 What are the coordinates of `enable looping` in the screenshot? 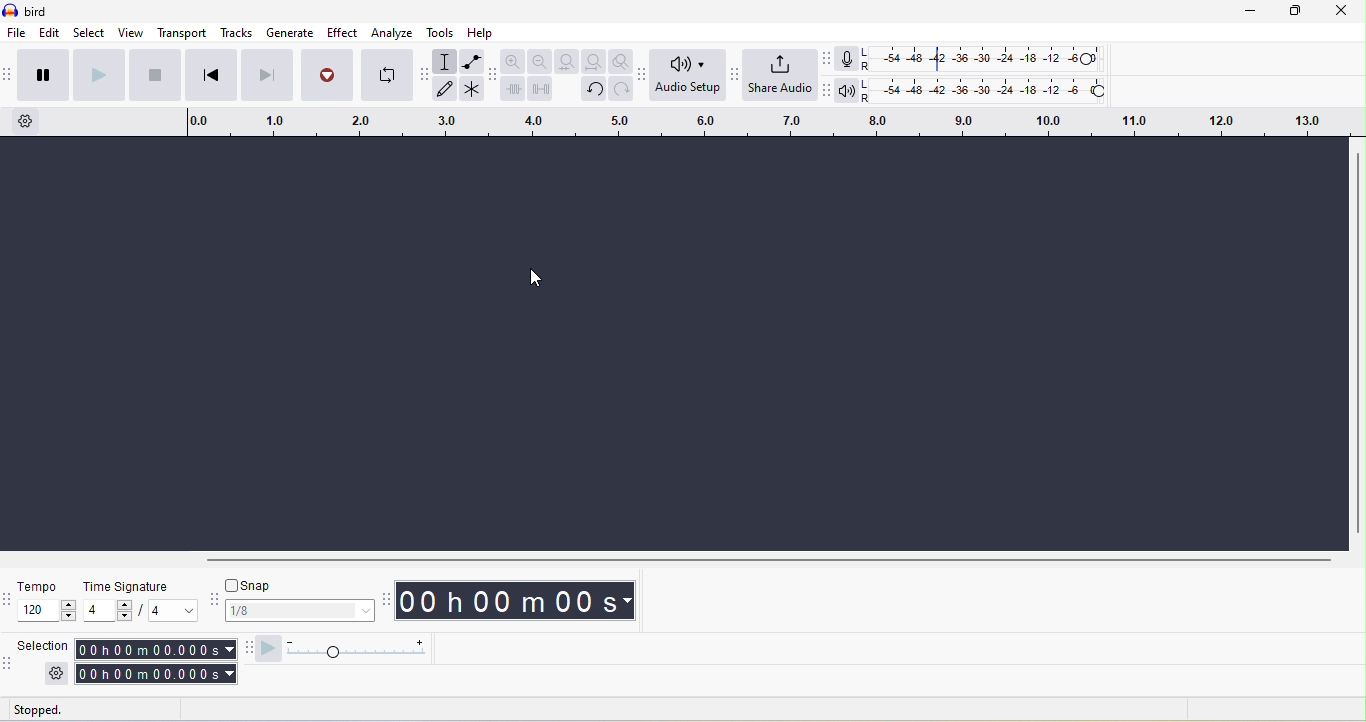 It's located at (389, 75).